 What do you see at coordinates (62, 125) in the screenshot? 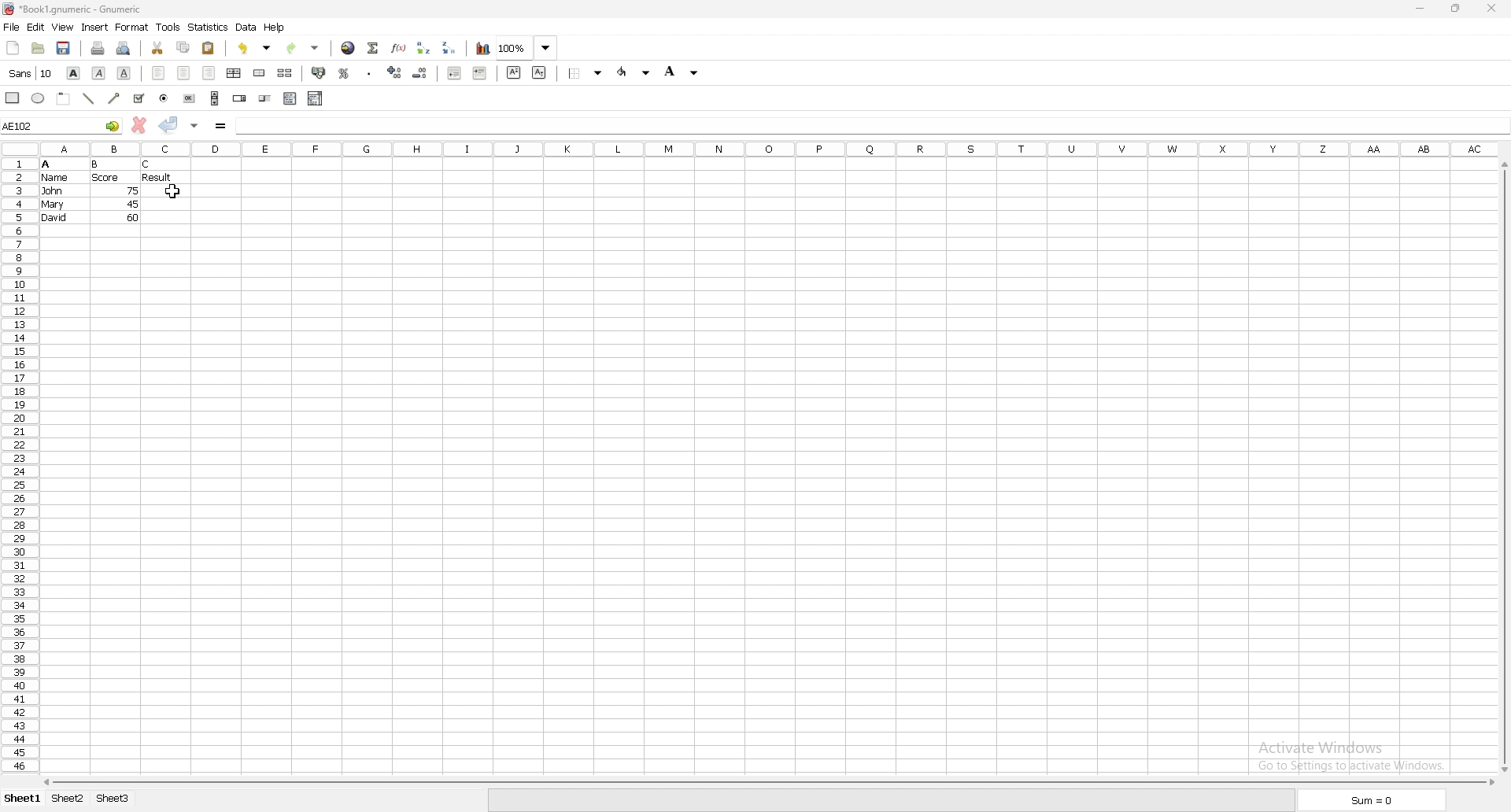
I see `selected cell` at bounding box center [62, 125].